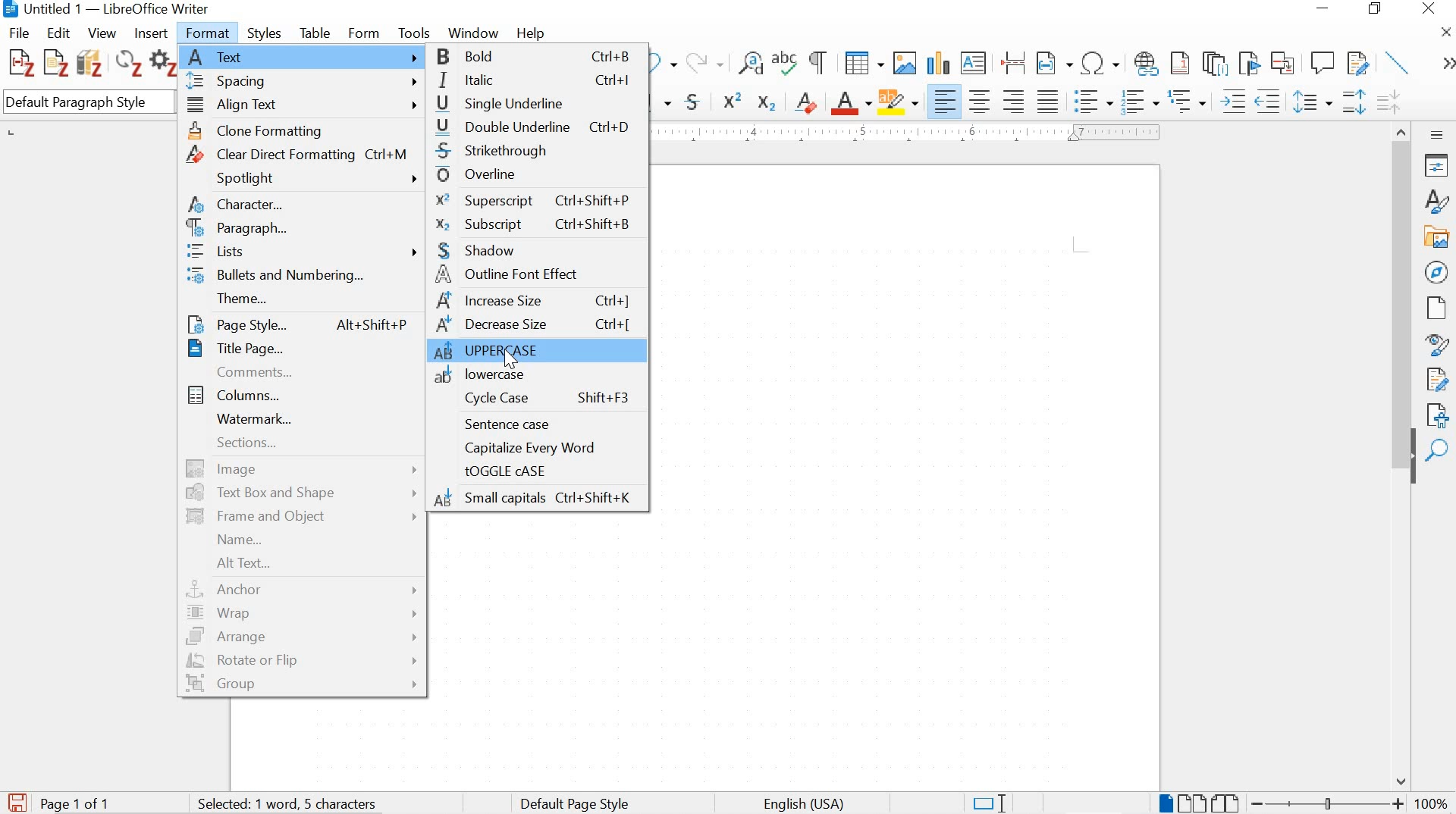 This screenshot has height=814, width=1456. I want to click on insert page break, so click(1013, 61).